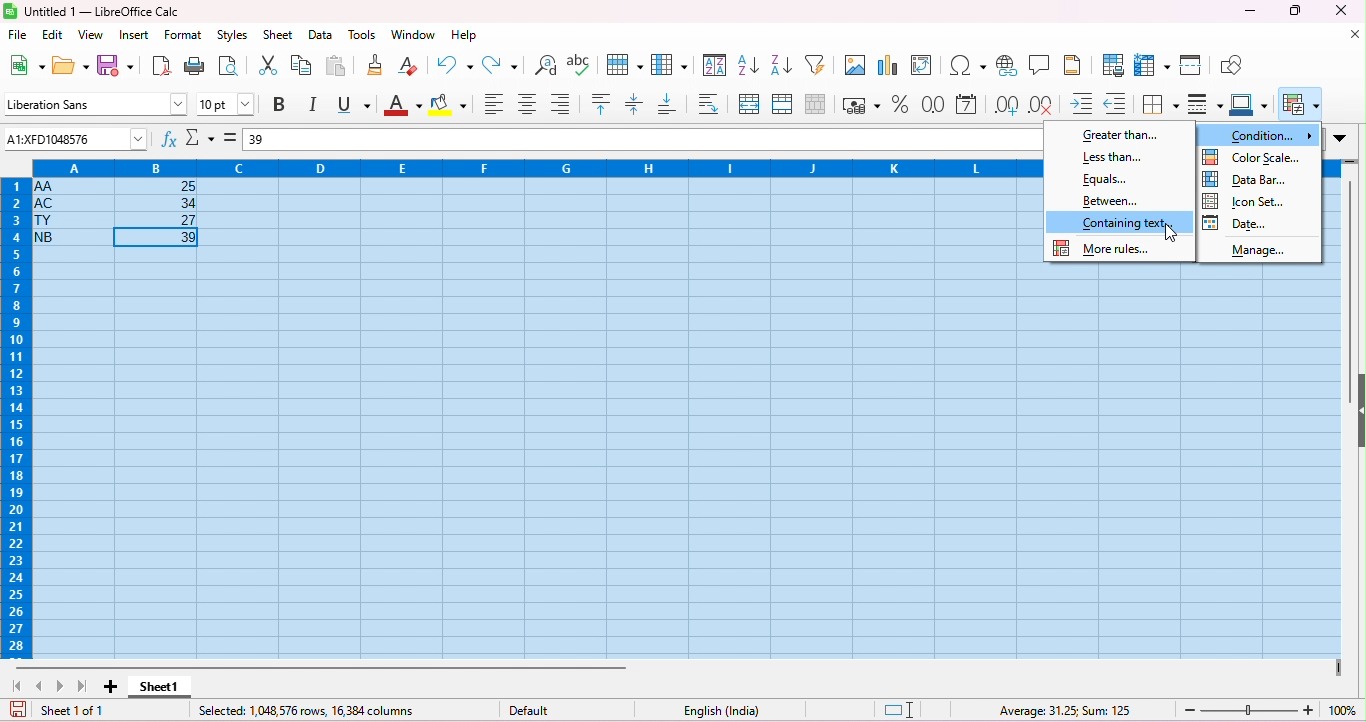 This screenshot has width=1366, height=722. I want to click on merge, so click(782, 103).